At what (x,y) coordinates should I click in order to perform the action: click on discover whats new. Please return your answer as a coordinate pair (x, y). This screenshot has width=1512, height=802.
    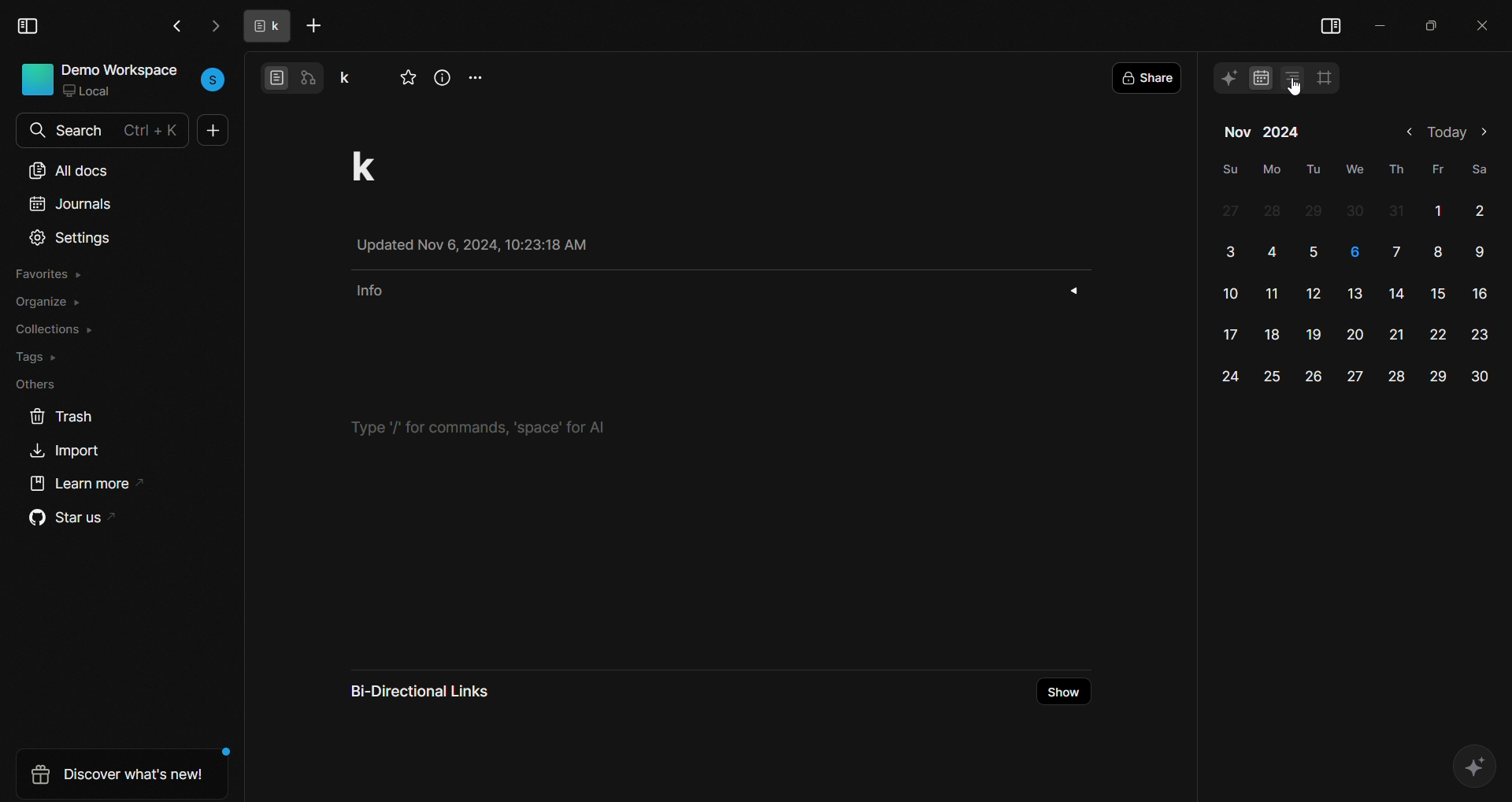
    Looking at the image, I should click on (114, 774).